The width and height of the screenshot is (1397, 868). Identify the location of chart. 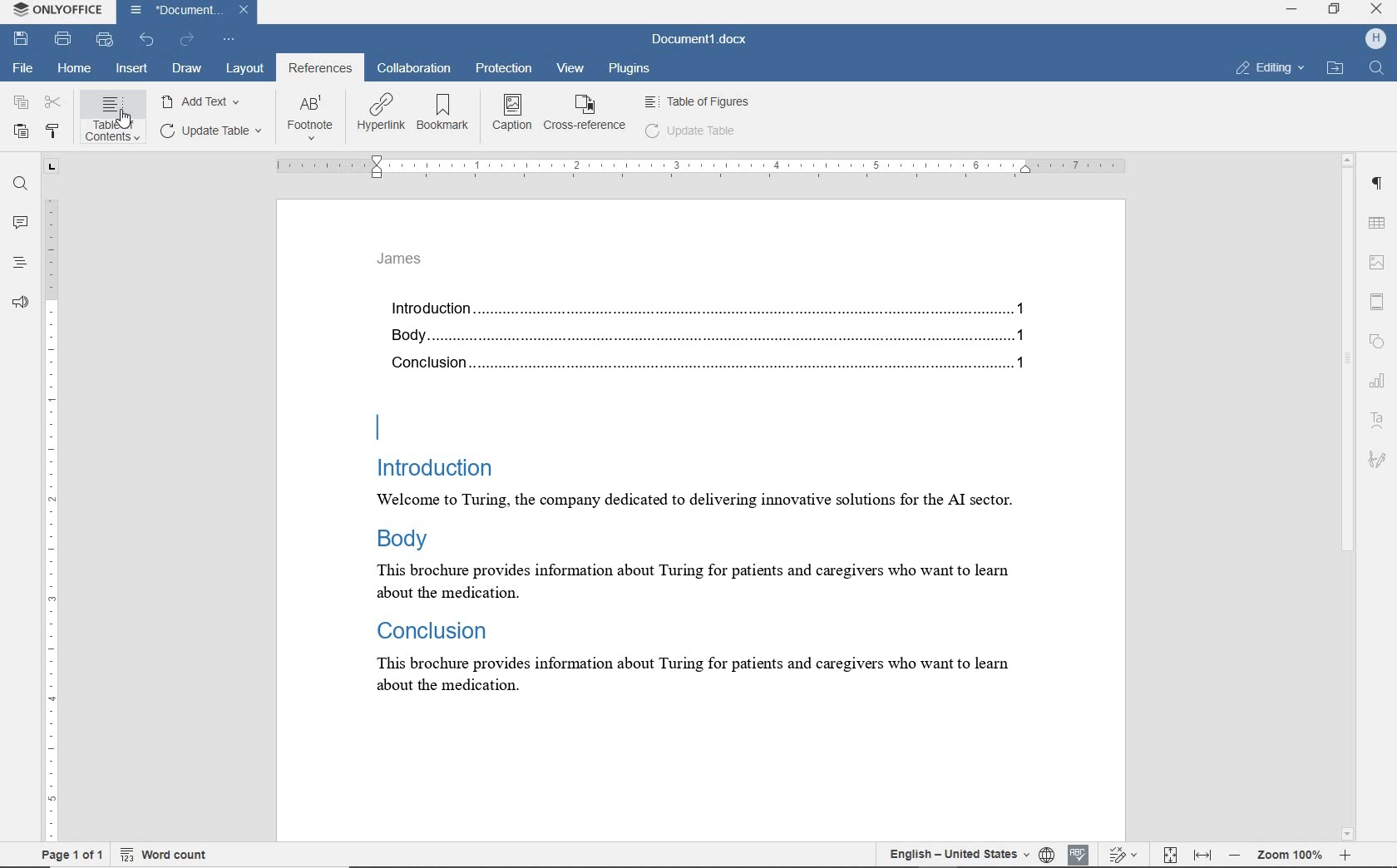
(1379, 382).